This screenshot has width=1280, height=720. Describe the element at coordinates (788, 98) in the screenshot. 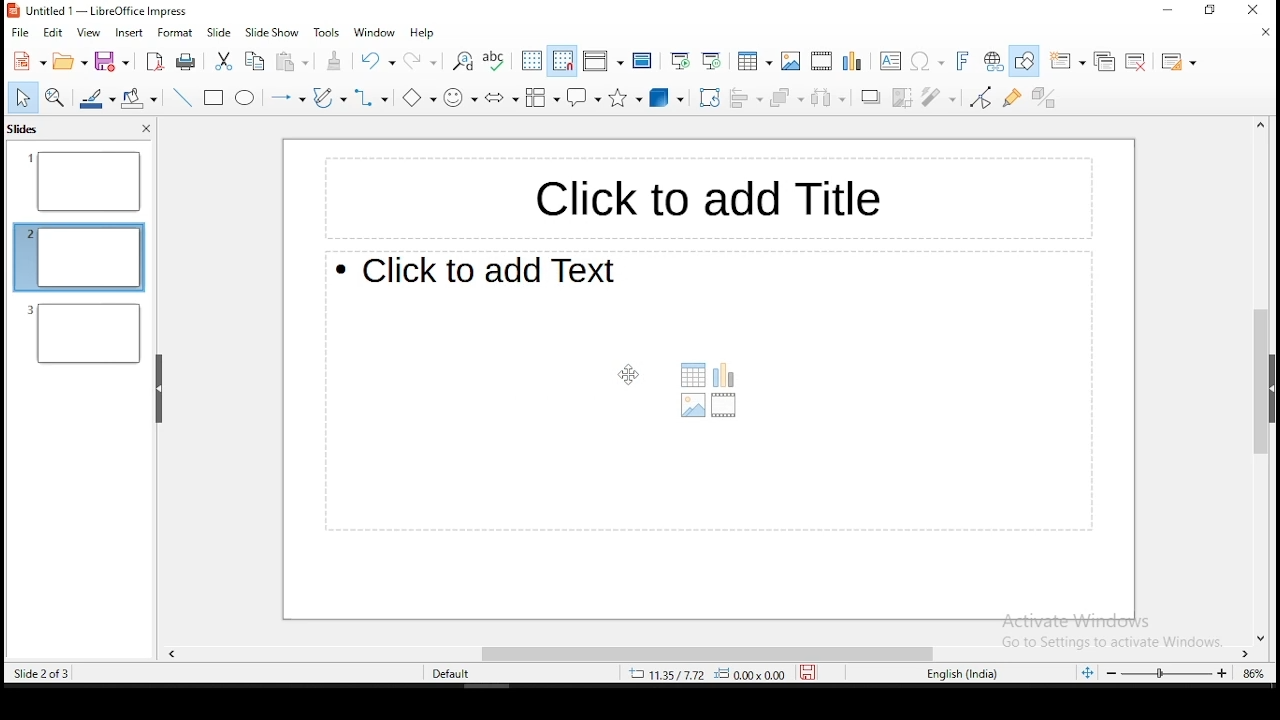

I see `arrange` at that location.